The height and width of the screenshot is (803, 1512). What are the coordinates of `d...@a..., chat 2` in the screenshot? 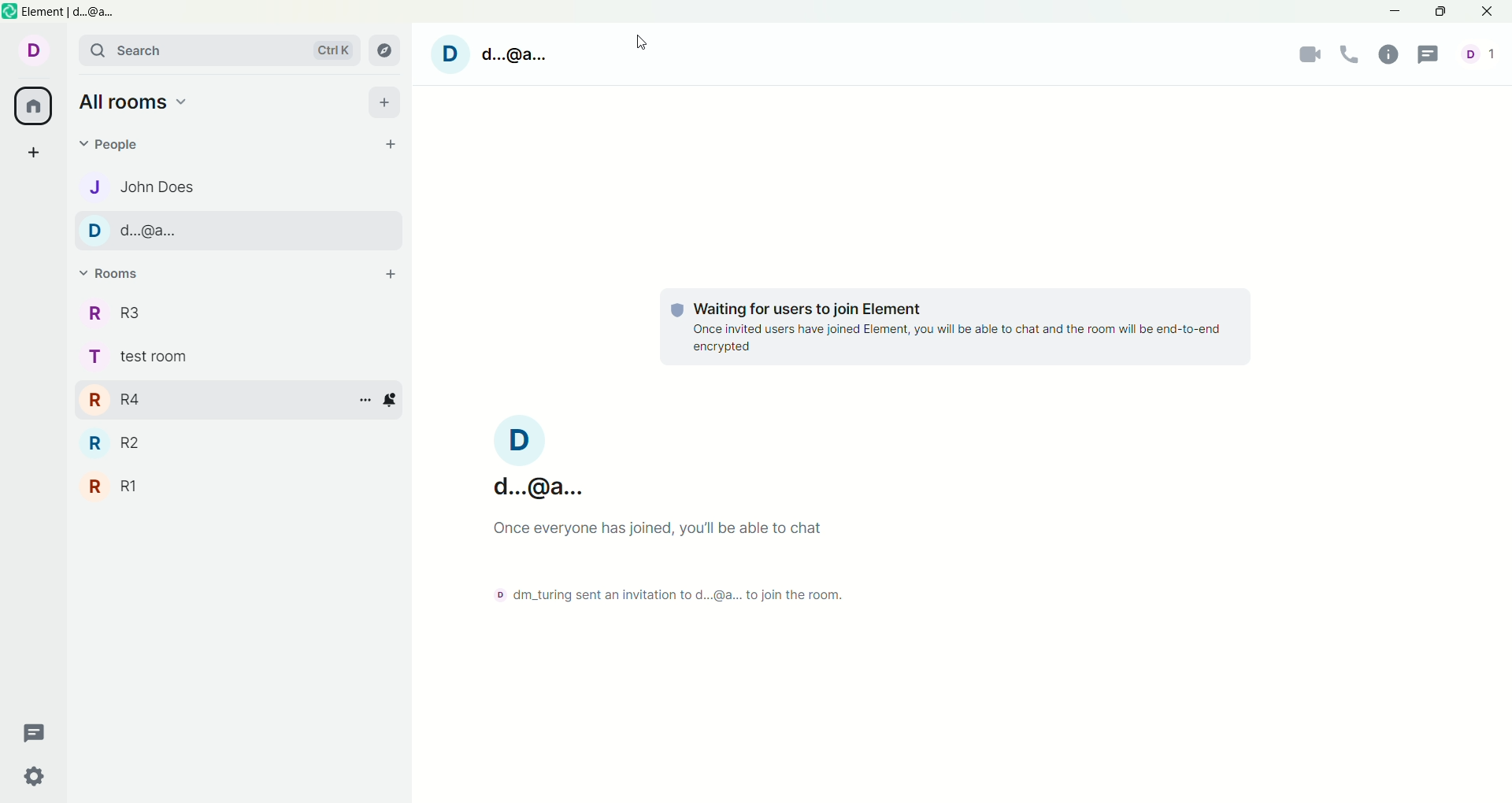 It's located at (239, 231).